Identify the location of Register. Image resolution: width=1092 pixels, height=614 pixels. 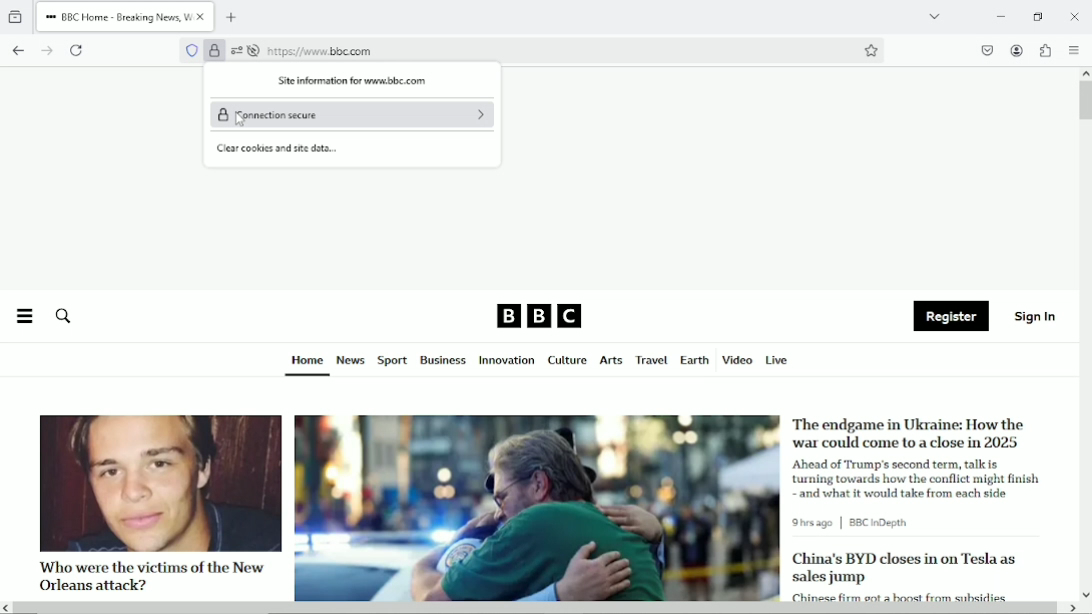
(951, 317).